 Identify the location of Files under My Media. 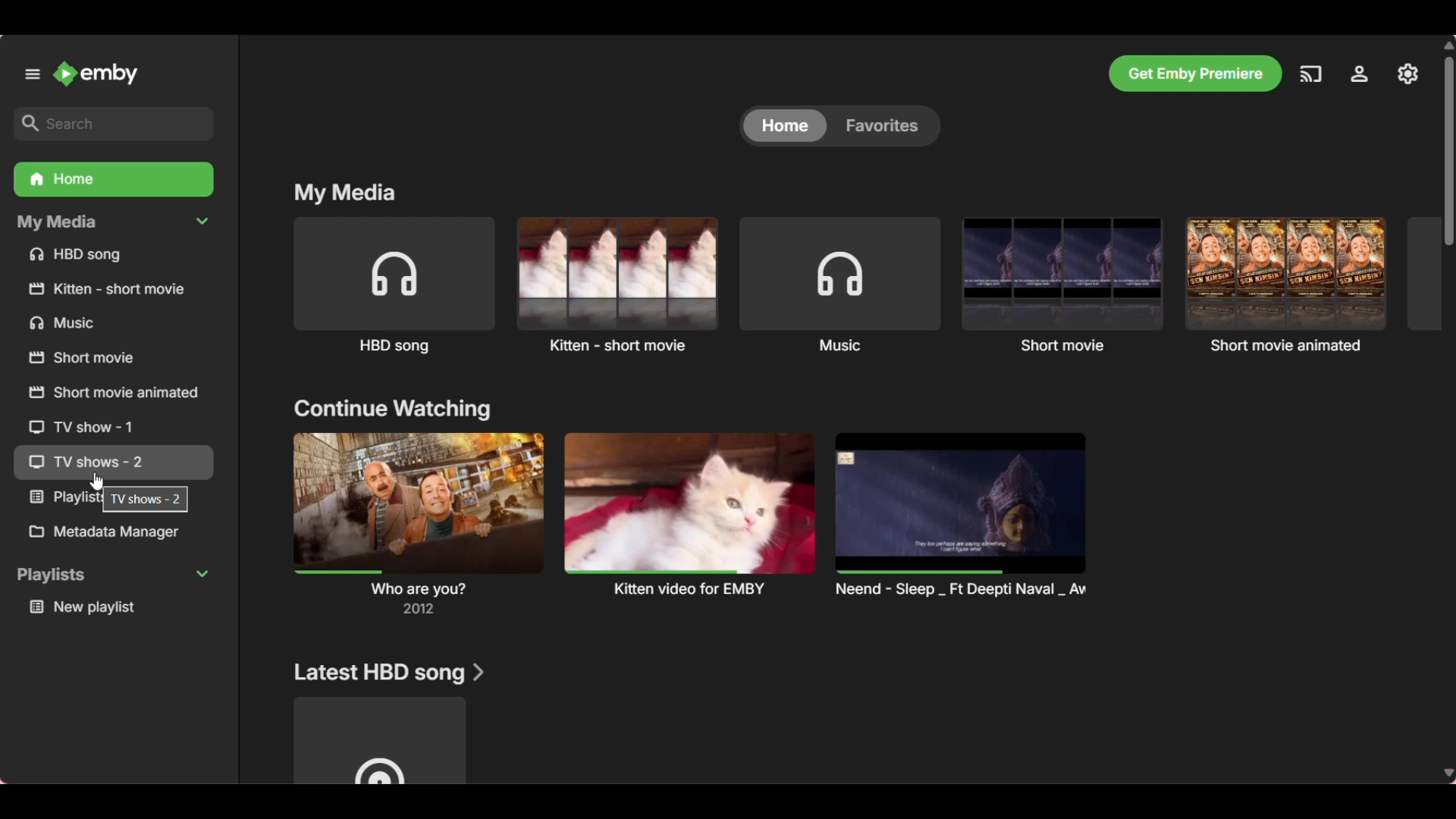
(112, 255).